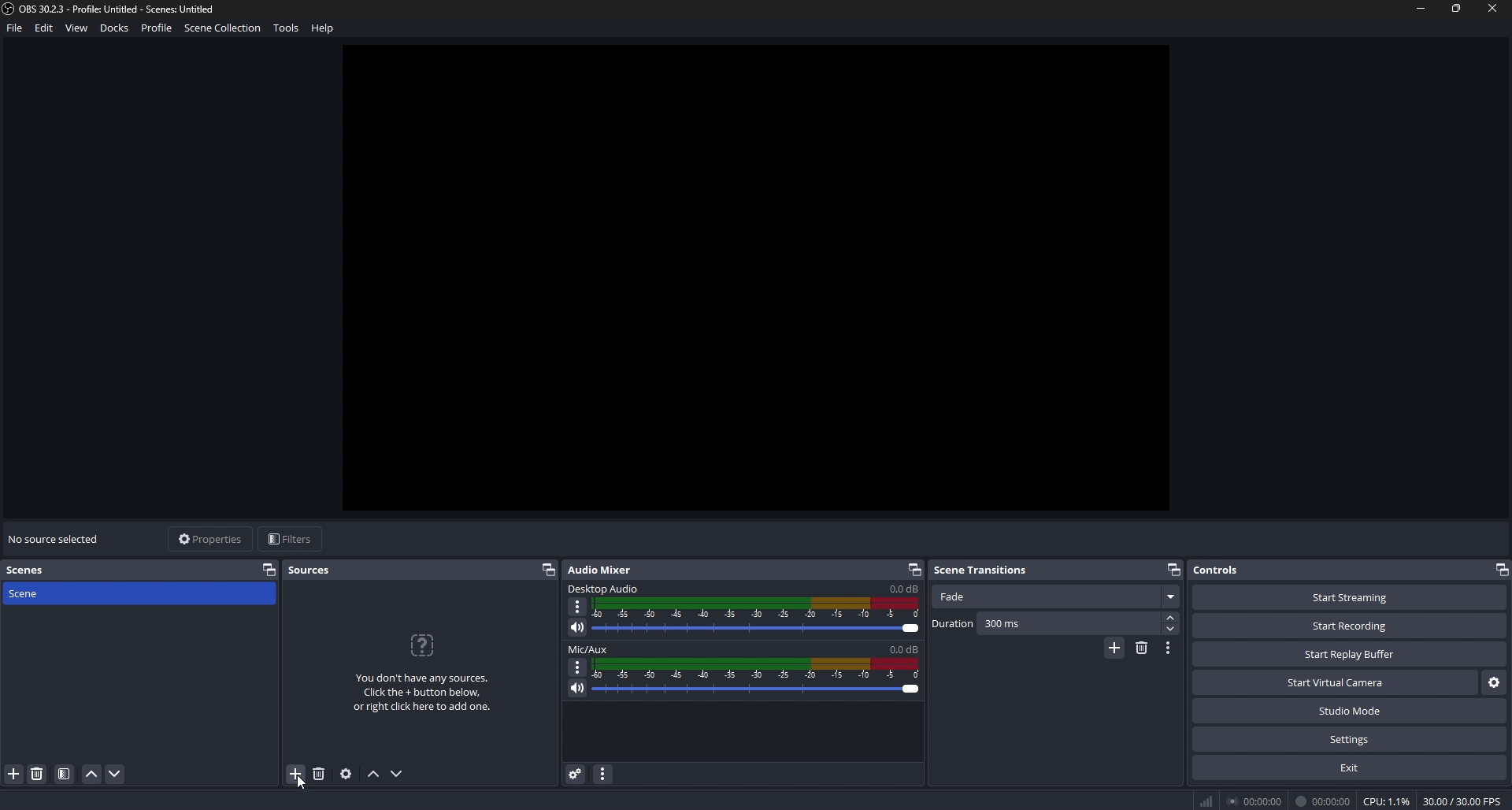 This screenshot has height=810, width=1512. Describe the element at coordinates (292, 539) in the screenshot. I see `filters` at that location.